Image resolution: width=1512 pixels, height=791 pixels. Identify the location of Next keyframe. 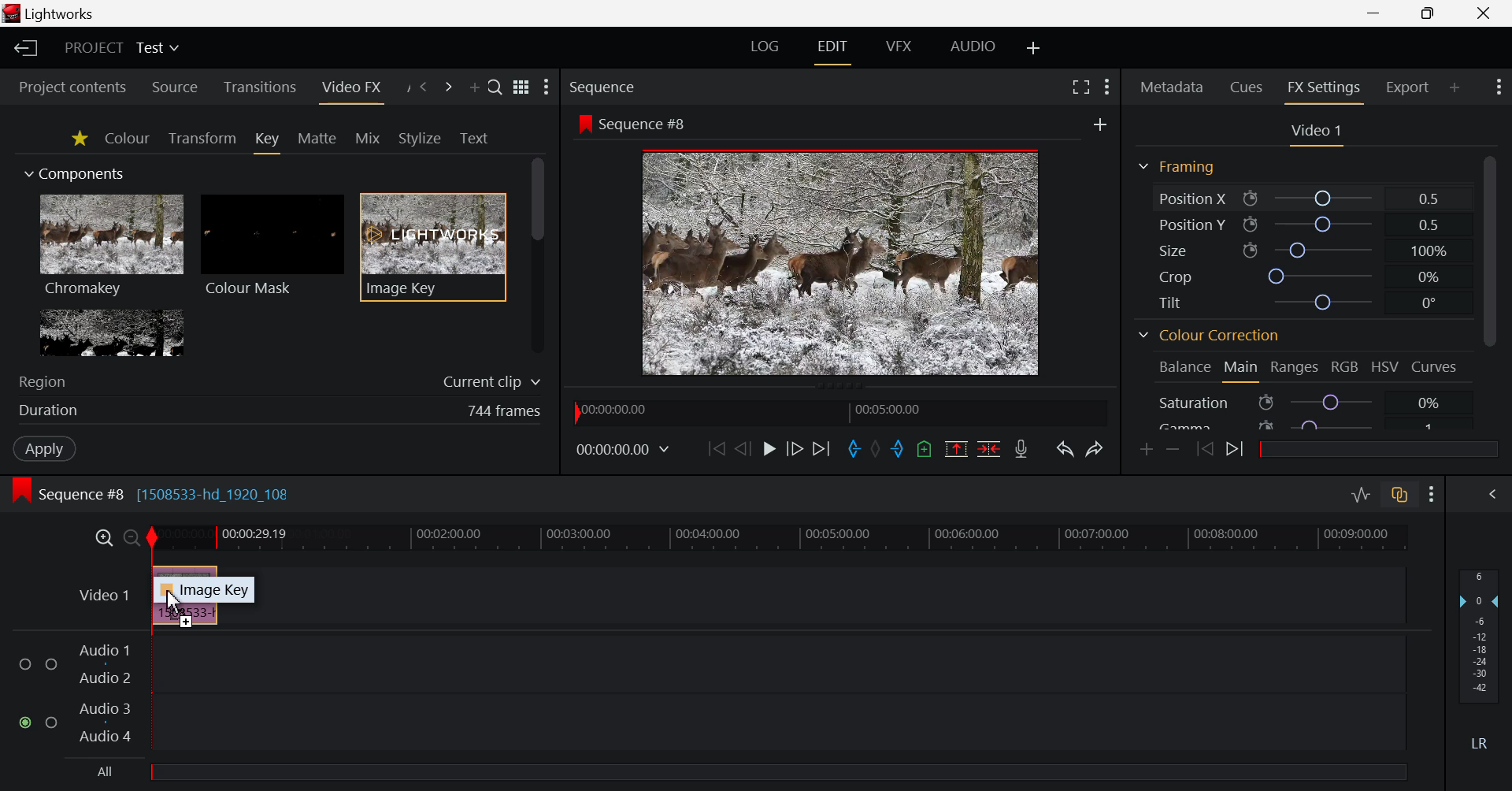
(1235, 452).